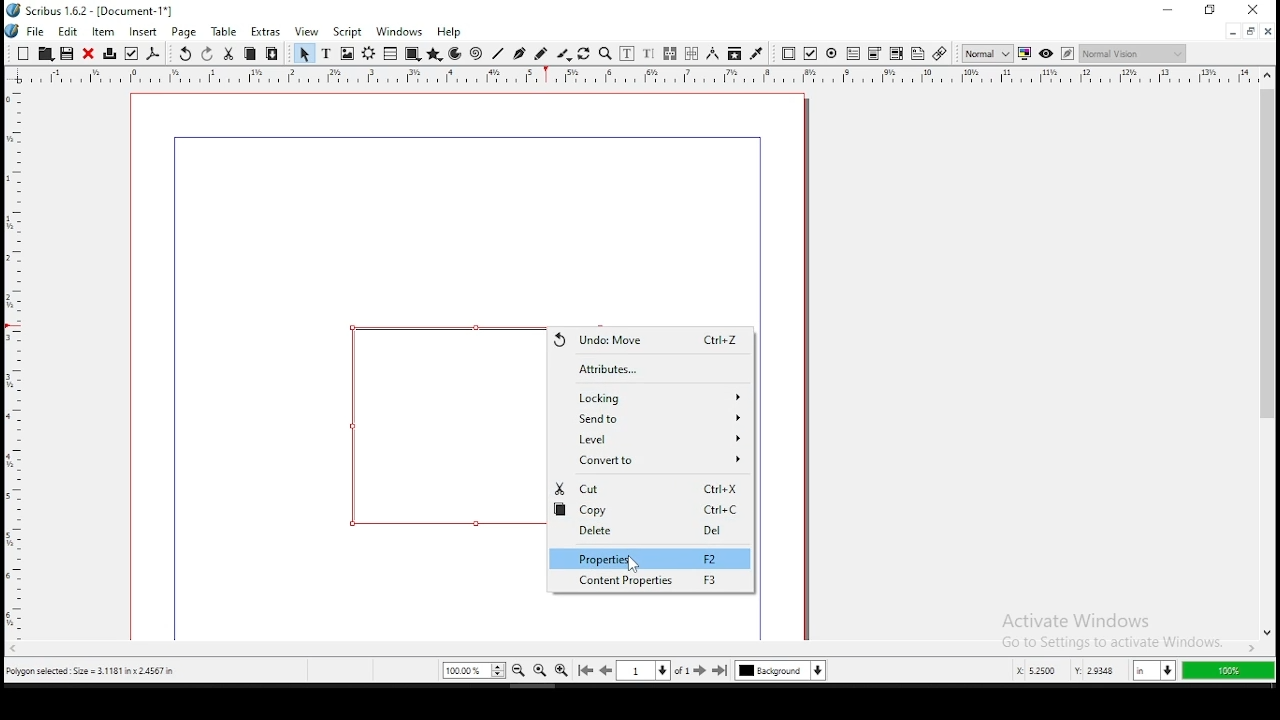  Describe the element at coordinates (456, 54) in the screenshot. I see `arc` at that location.